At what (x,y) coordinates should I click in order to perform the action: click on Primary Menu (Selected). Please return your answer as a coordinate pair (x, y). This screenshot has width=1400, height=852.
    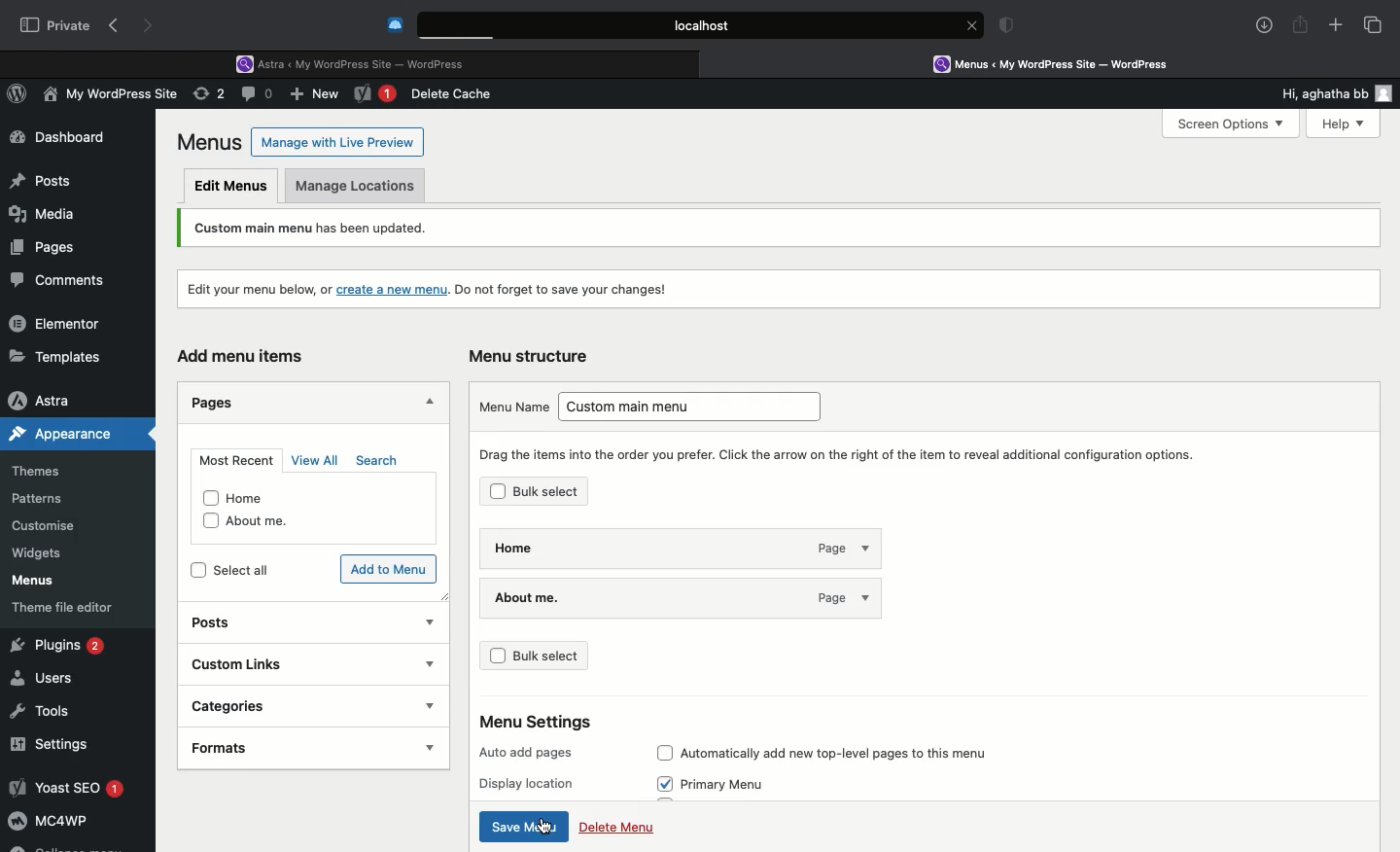
    Looking at the image, I should click on (738, 785).